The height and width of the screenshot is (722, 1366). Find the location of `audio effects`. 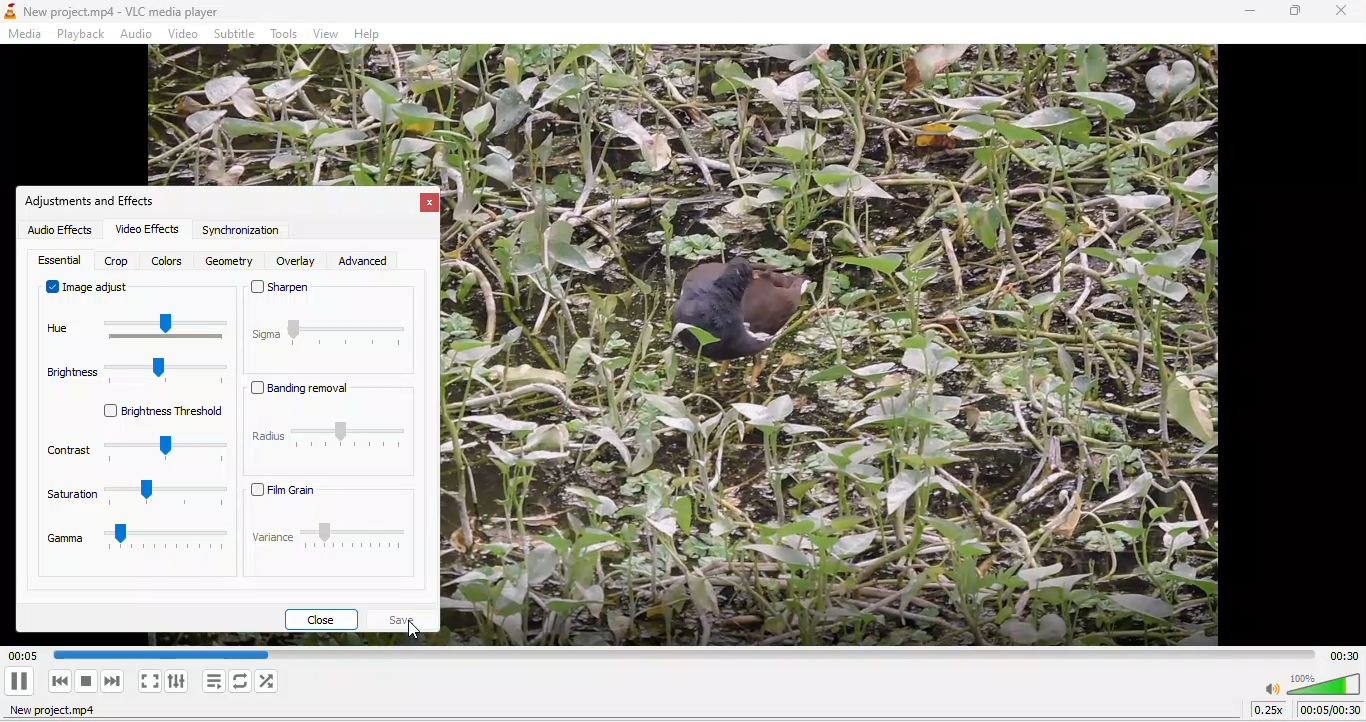

audio effects is located at coordinates (59, 231).